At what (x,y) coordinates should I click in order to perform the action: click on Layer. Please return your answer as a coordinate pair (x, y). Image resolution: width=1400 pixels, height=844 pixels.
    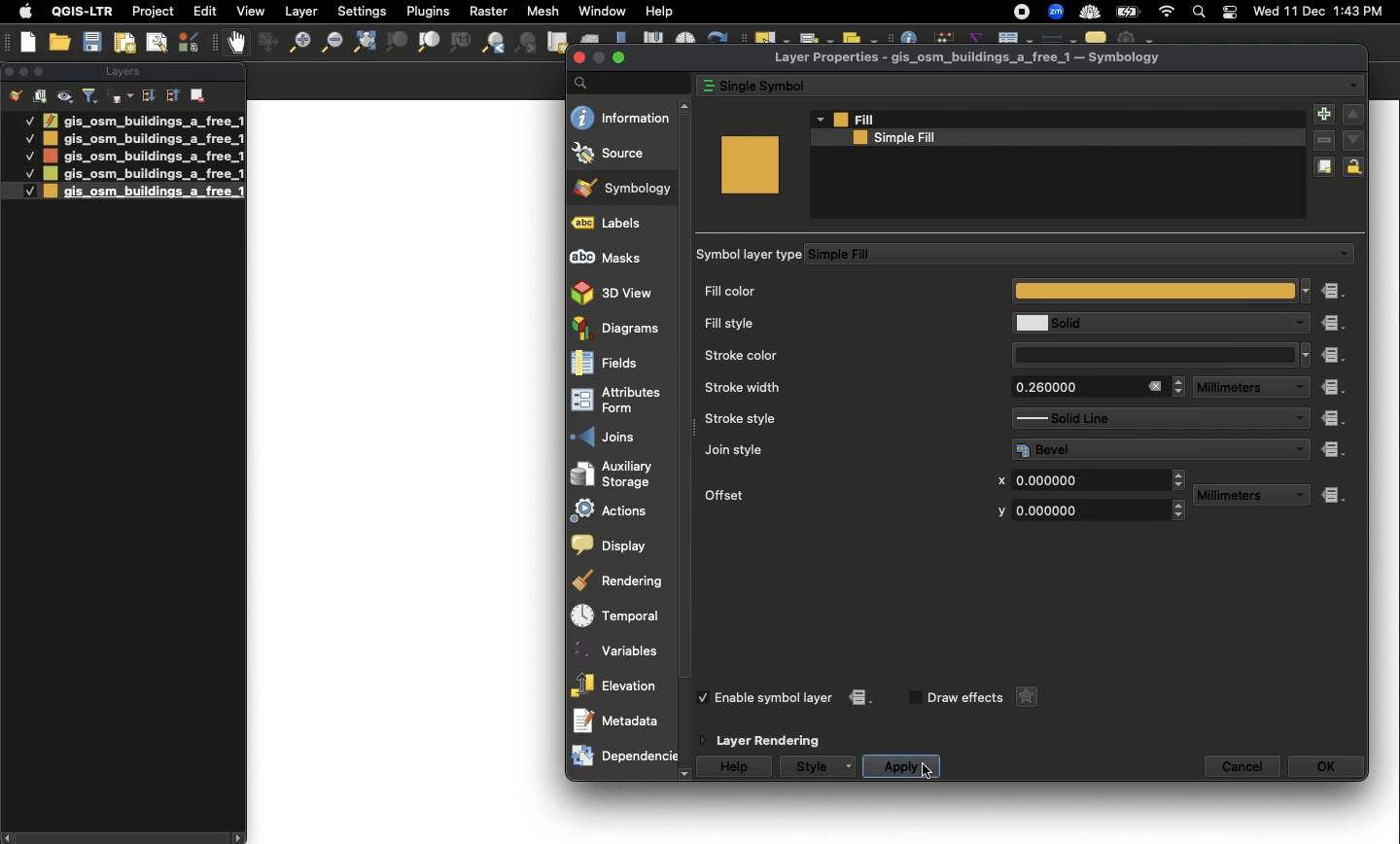
    Looking at the image, I should click on (302, 12).